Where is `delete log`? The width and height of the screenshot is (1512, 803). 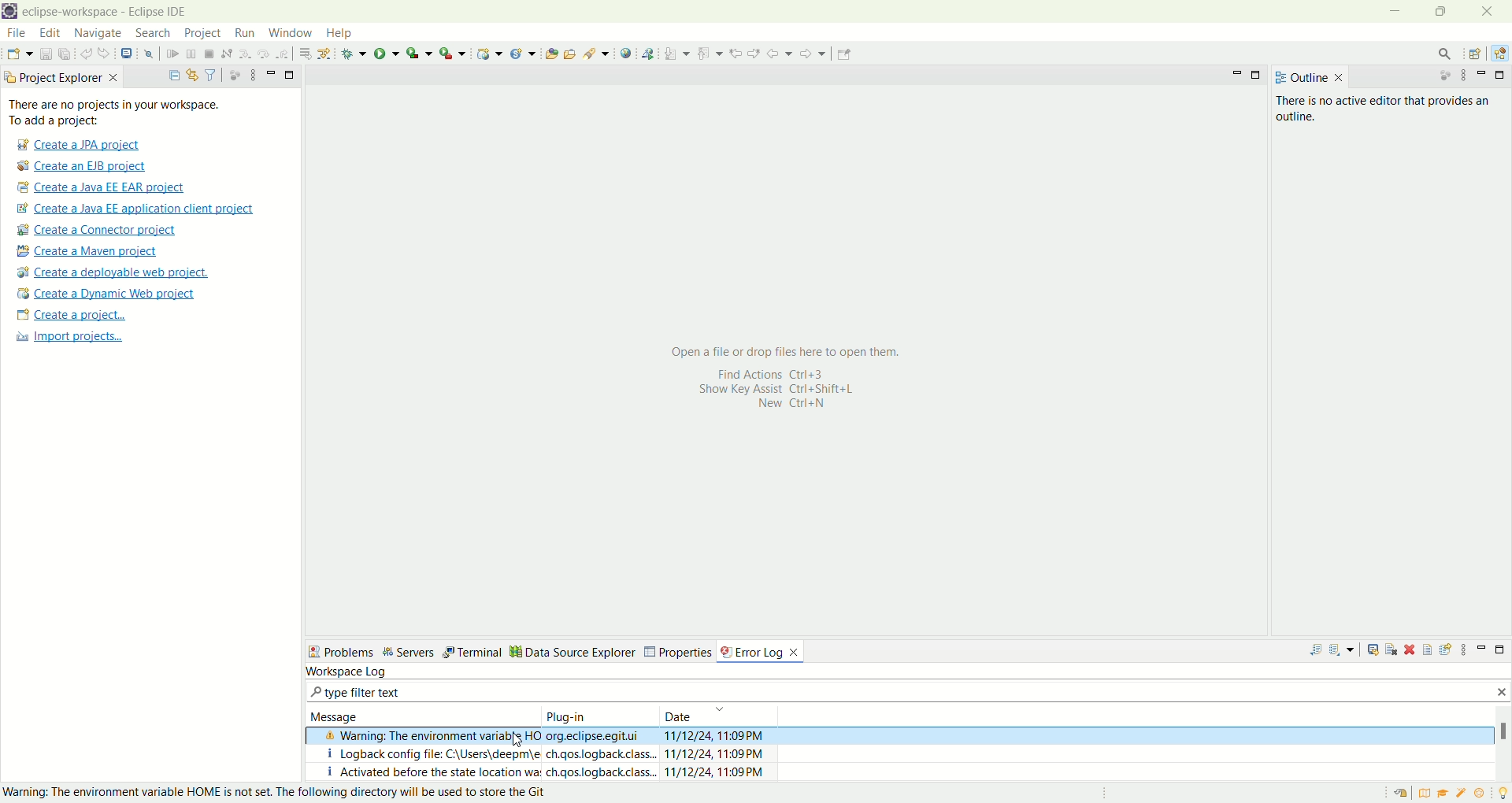 delete log is located at coordinates (1410, 650).